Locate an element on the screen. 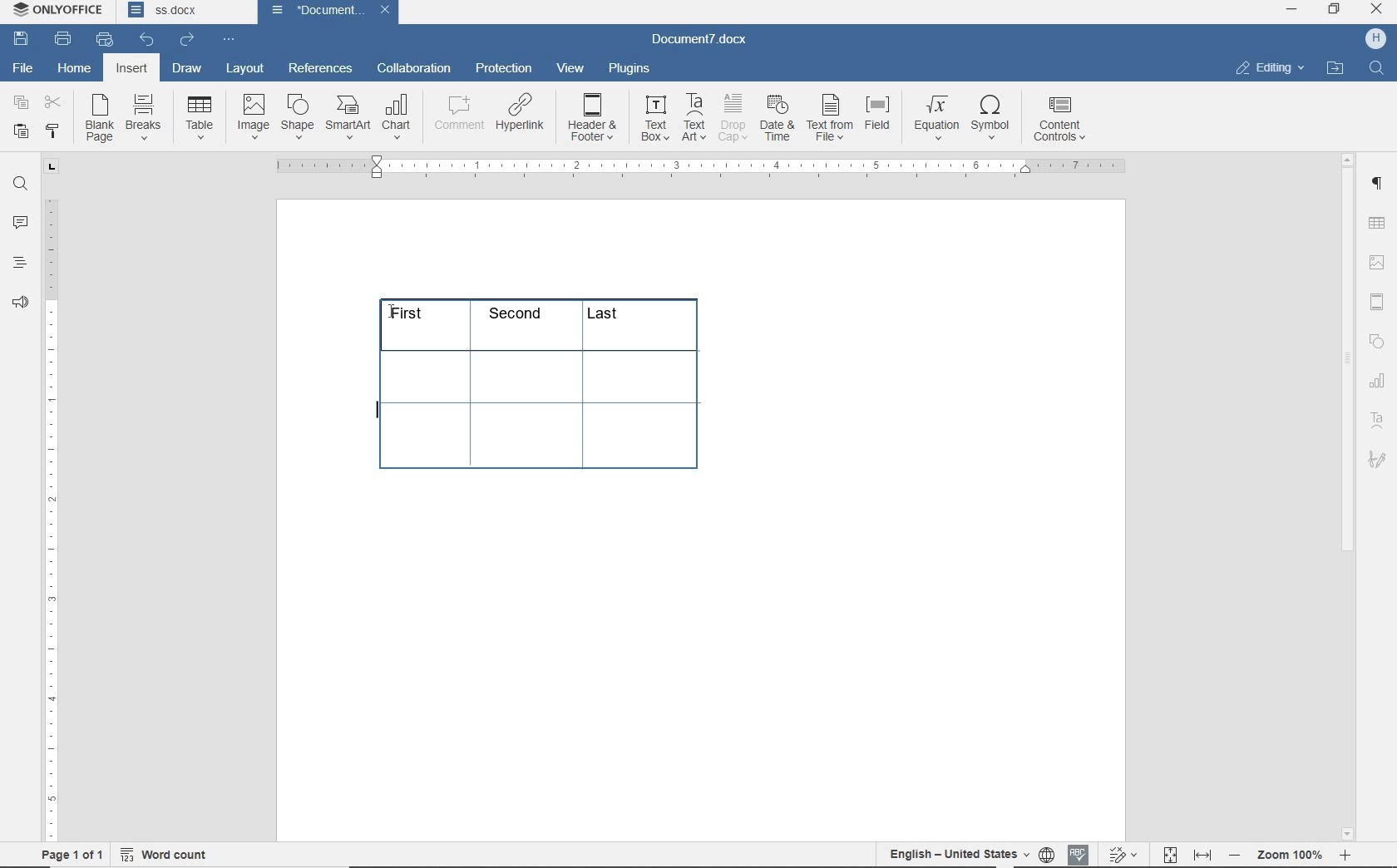  SHAPE is located at coordinates (1376, 341).